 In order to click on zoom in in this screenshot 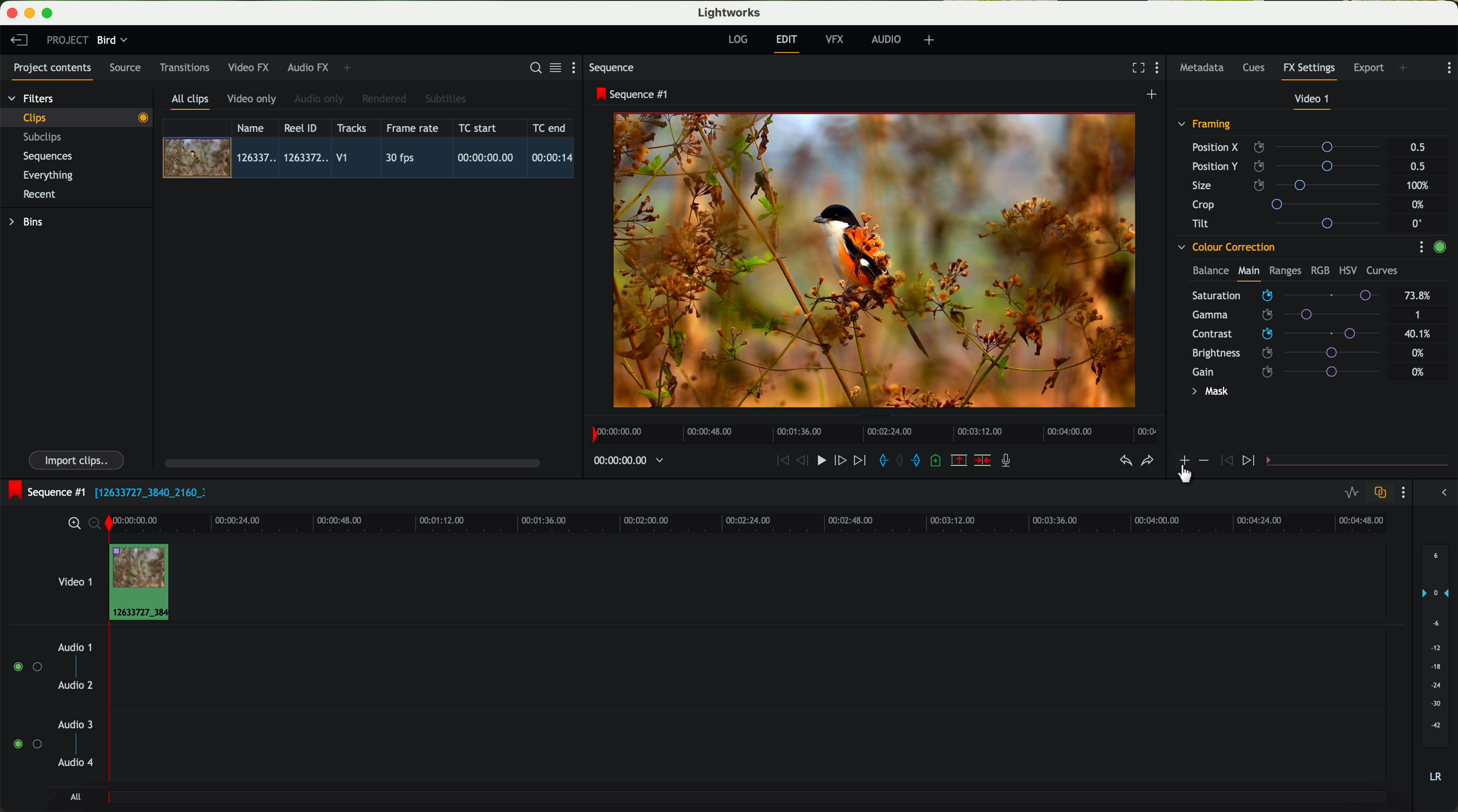, I will do `click(72, 524)`.